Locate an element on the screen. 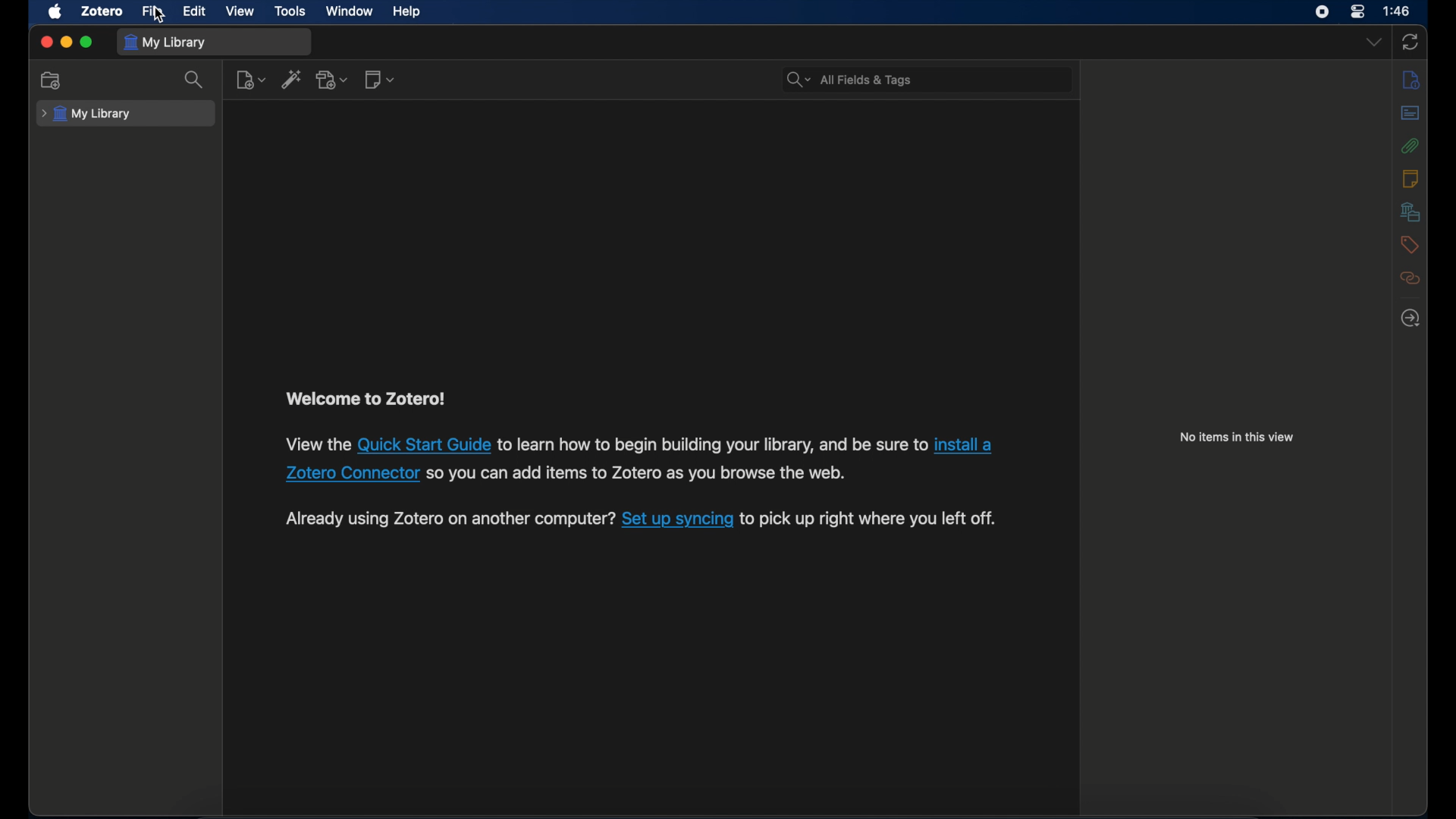 This screenshot has height=819, width=1456. new collection is located at coordinates (53, 80).